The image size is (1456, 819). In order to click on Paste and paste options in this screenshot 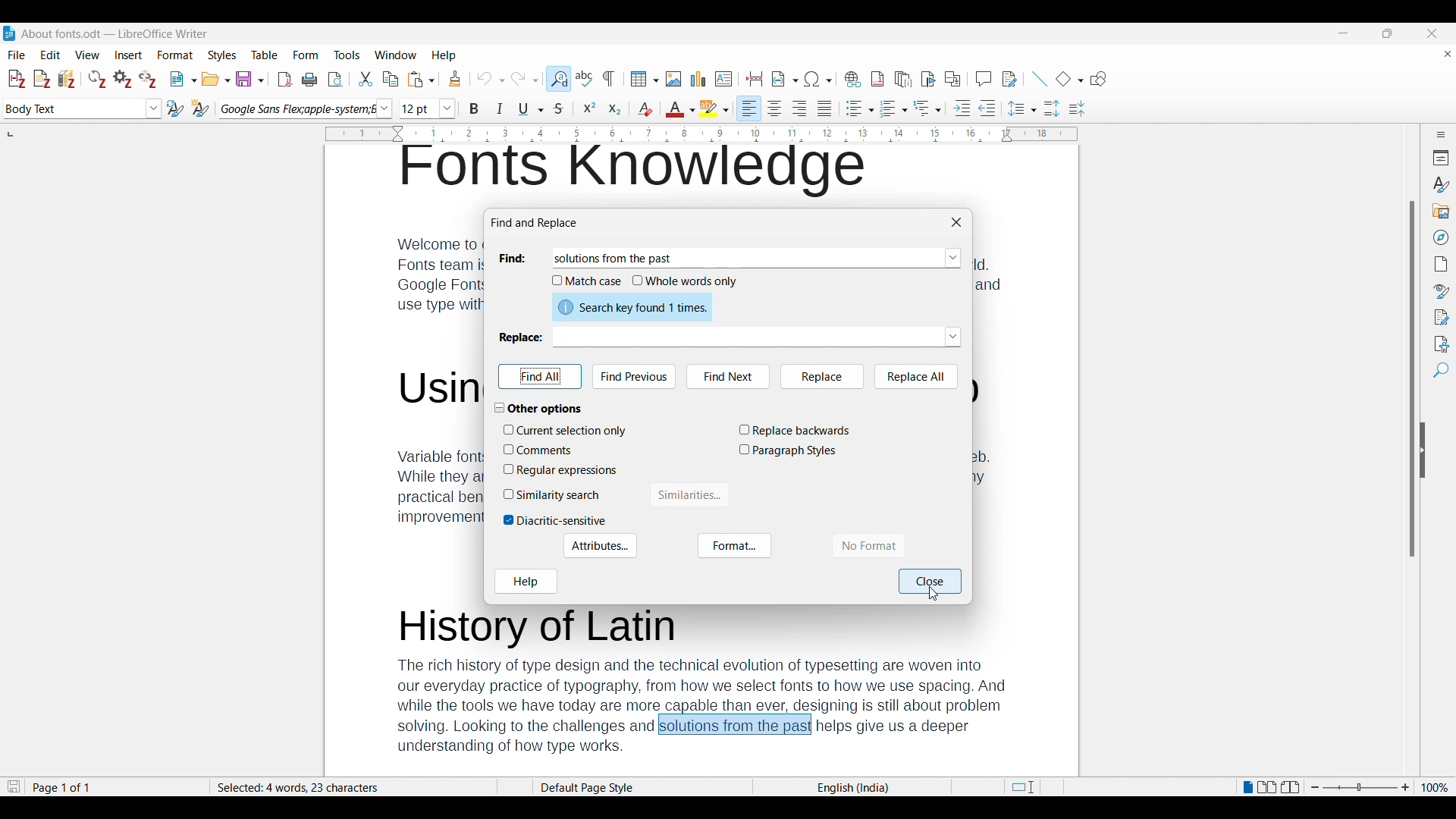, I will do `click(422, 80)`.